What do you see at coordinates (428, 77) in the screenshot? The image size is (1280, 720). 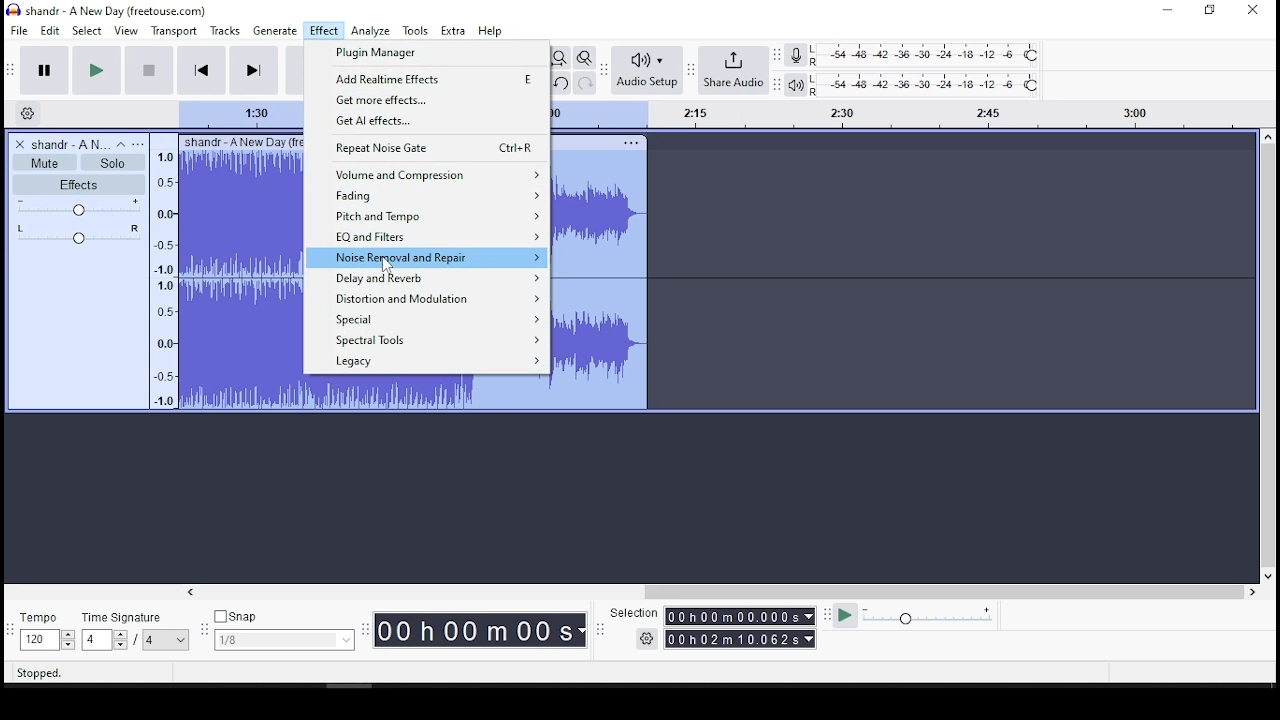 I see `add realtime effects` at bounding box center [428, 77].